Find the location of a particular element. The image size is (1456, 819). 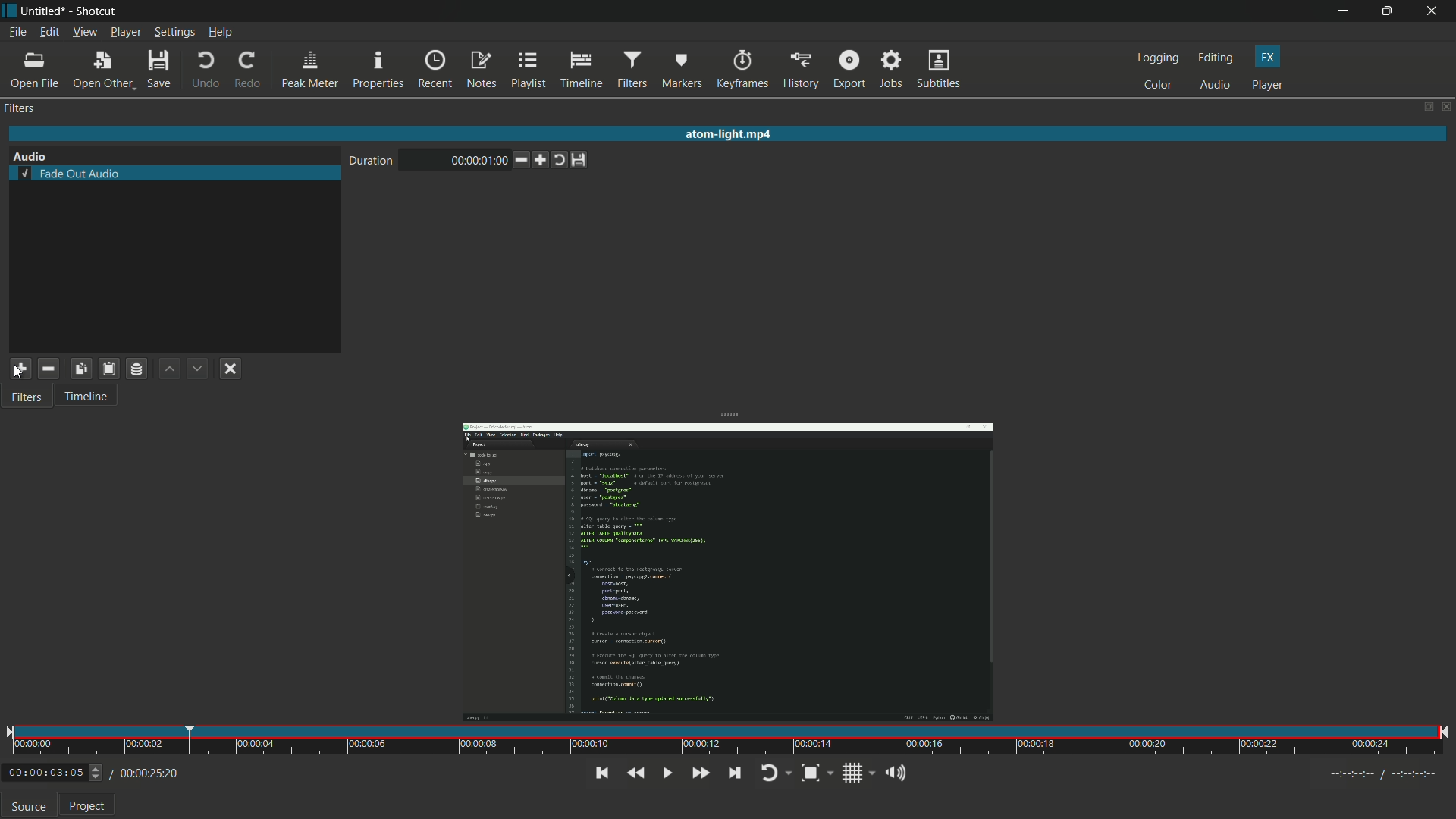

copy checked filters is located at coordinates (80, 368).